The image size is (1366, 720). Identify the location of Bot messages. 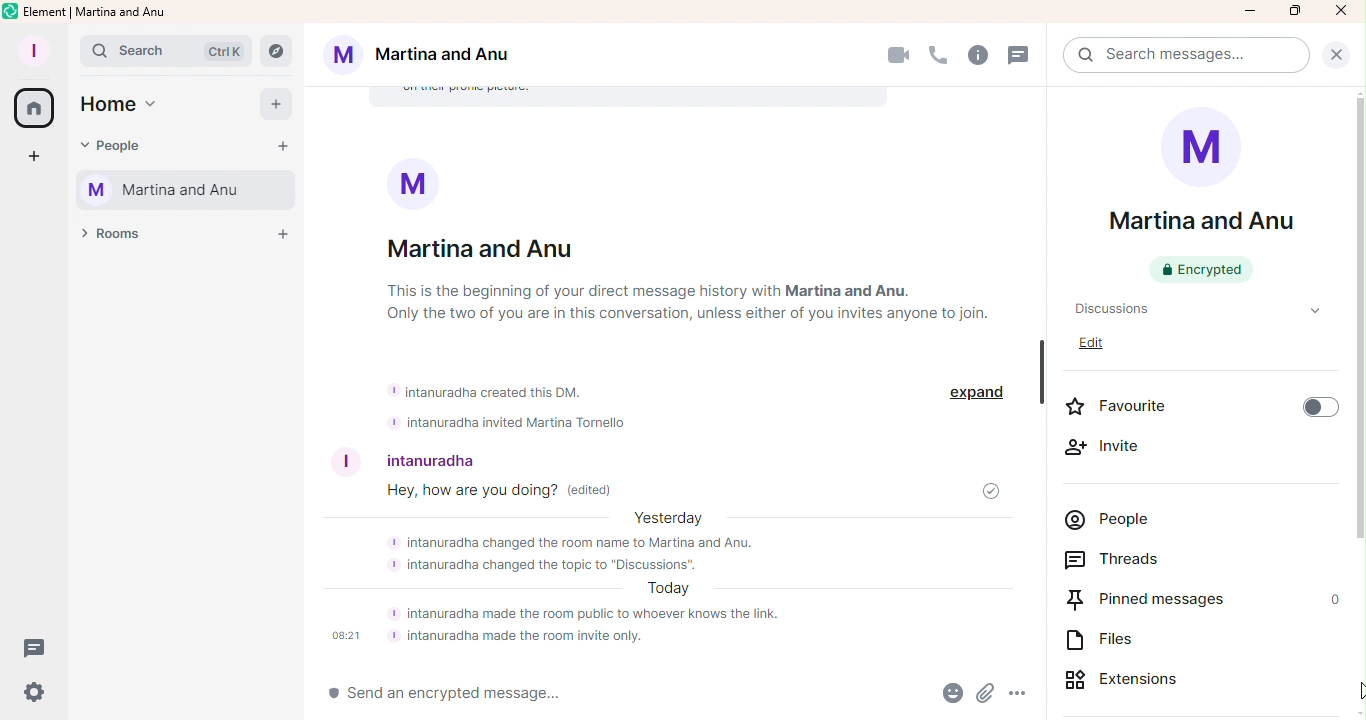
(543, 404).